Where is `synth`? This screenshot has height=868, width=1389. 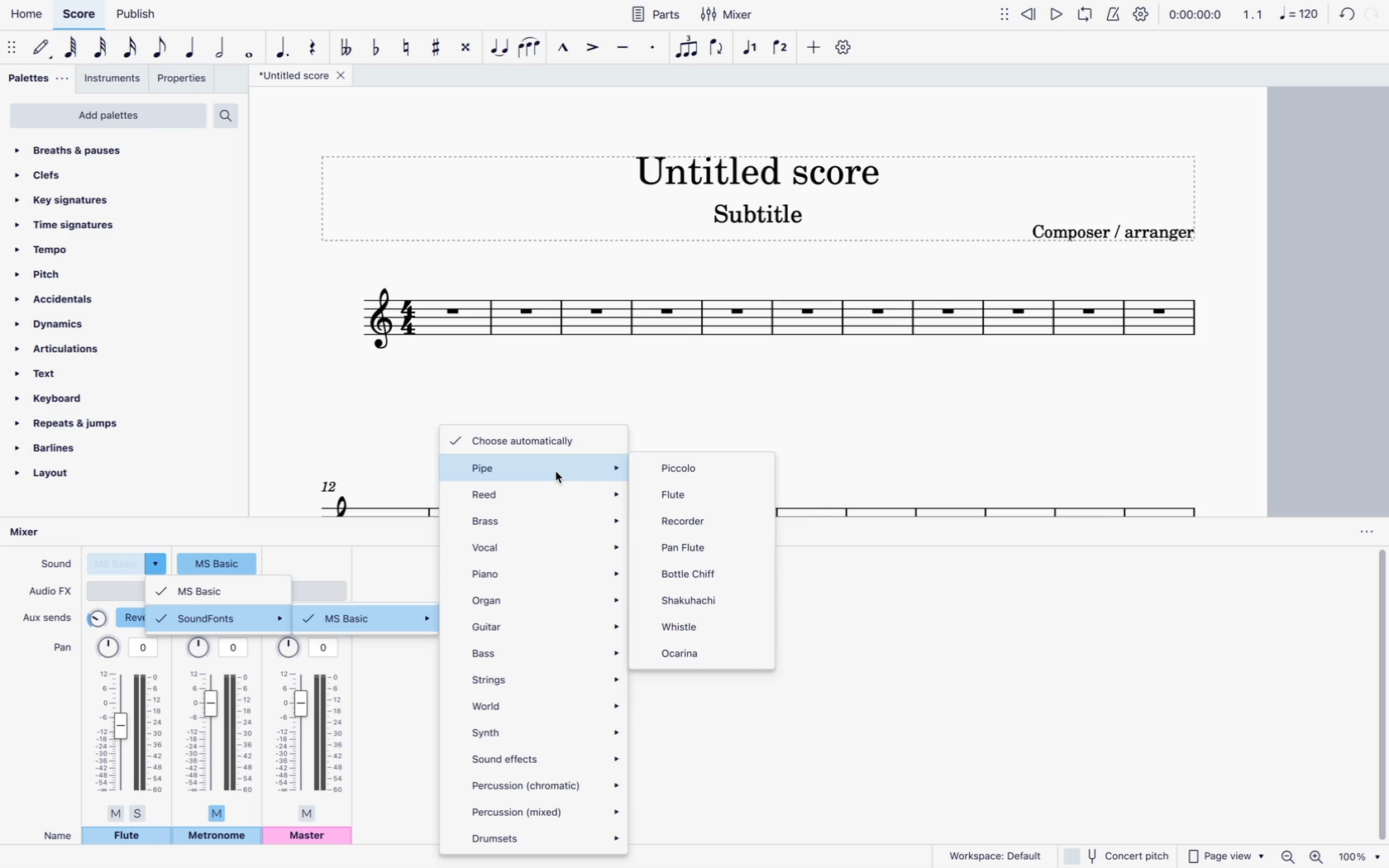
synth is located at coordinates (545, 731).